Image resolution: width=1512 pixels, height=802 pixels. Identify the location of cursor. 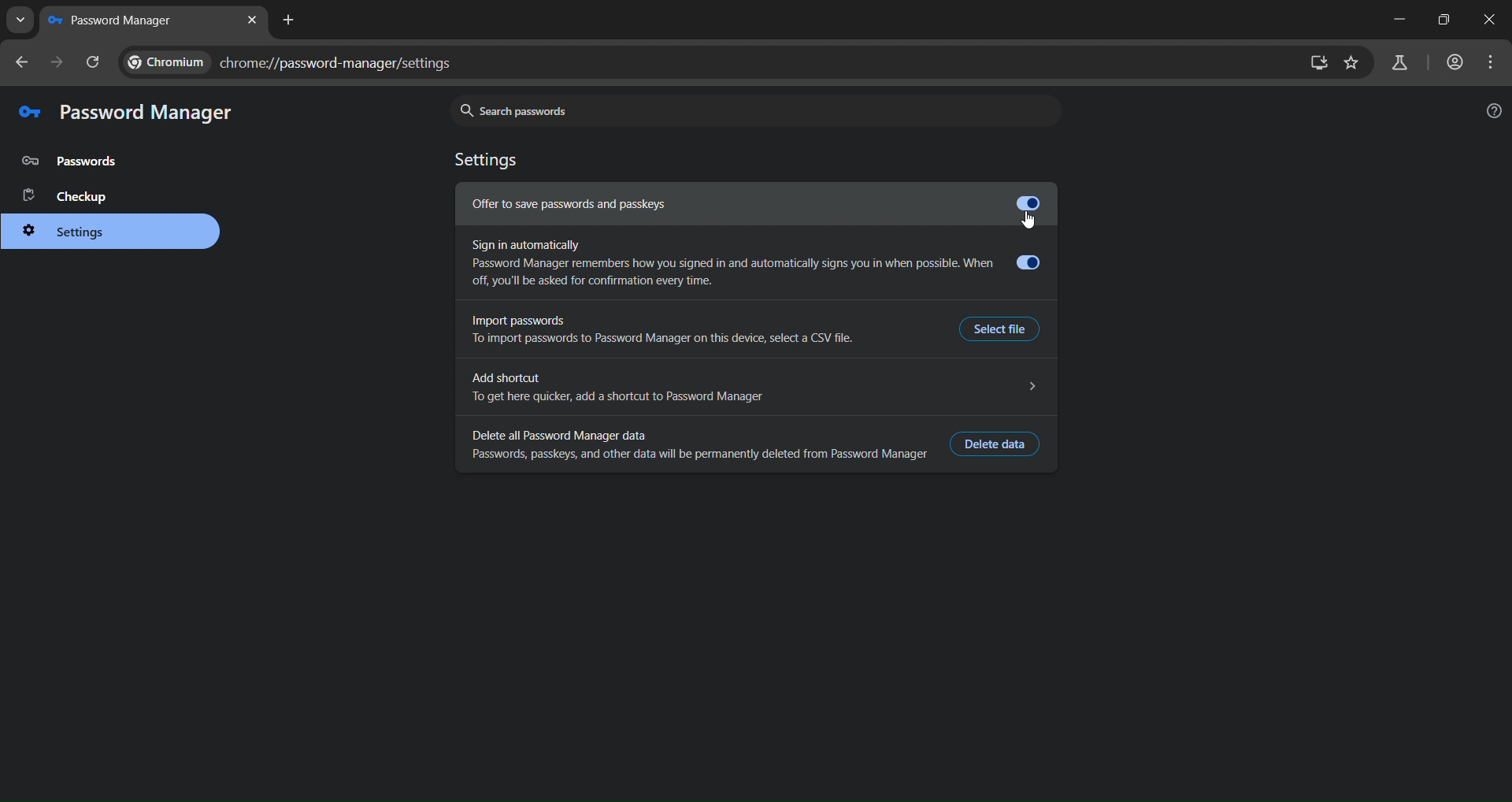
(1027, 221).